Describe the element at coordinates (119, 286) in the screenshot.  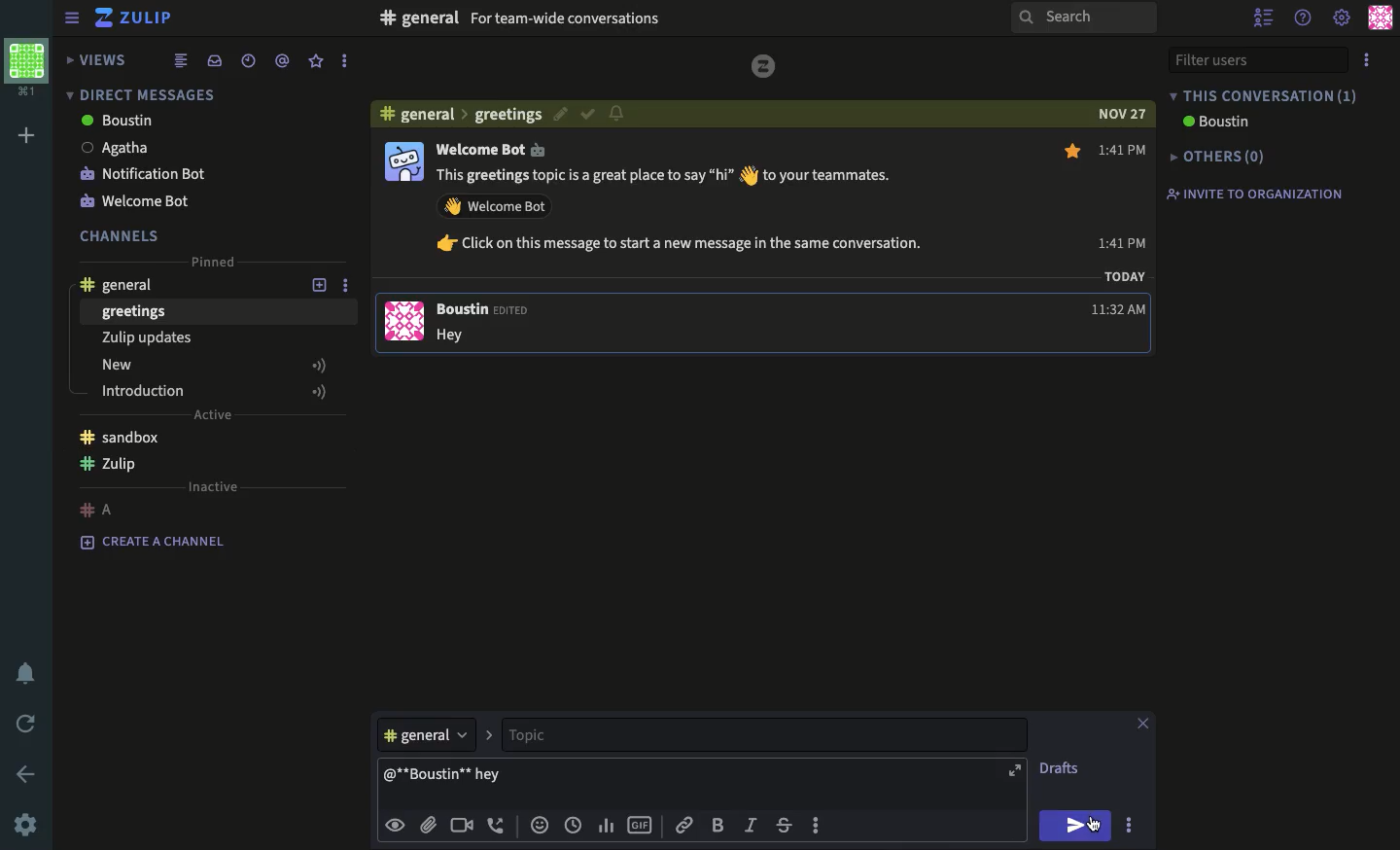
I see `general` at that location.